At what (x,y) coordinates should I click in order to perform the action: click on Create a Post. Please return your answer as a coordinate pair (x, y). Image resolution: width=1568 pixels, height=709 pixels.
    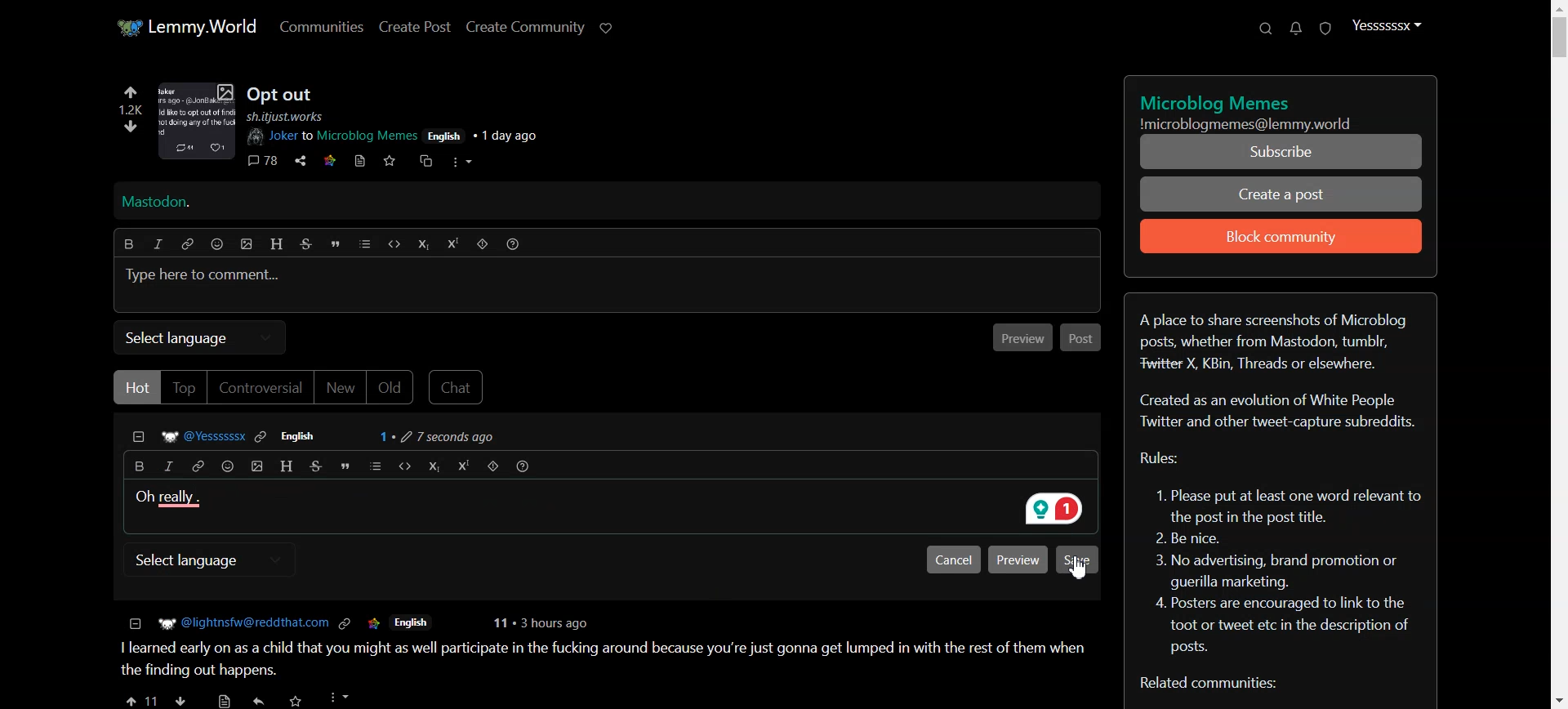
    Looking at the image, I should click on (1280, 194).